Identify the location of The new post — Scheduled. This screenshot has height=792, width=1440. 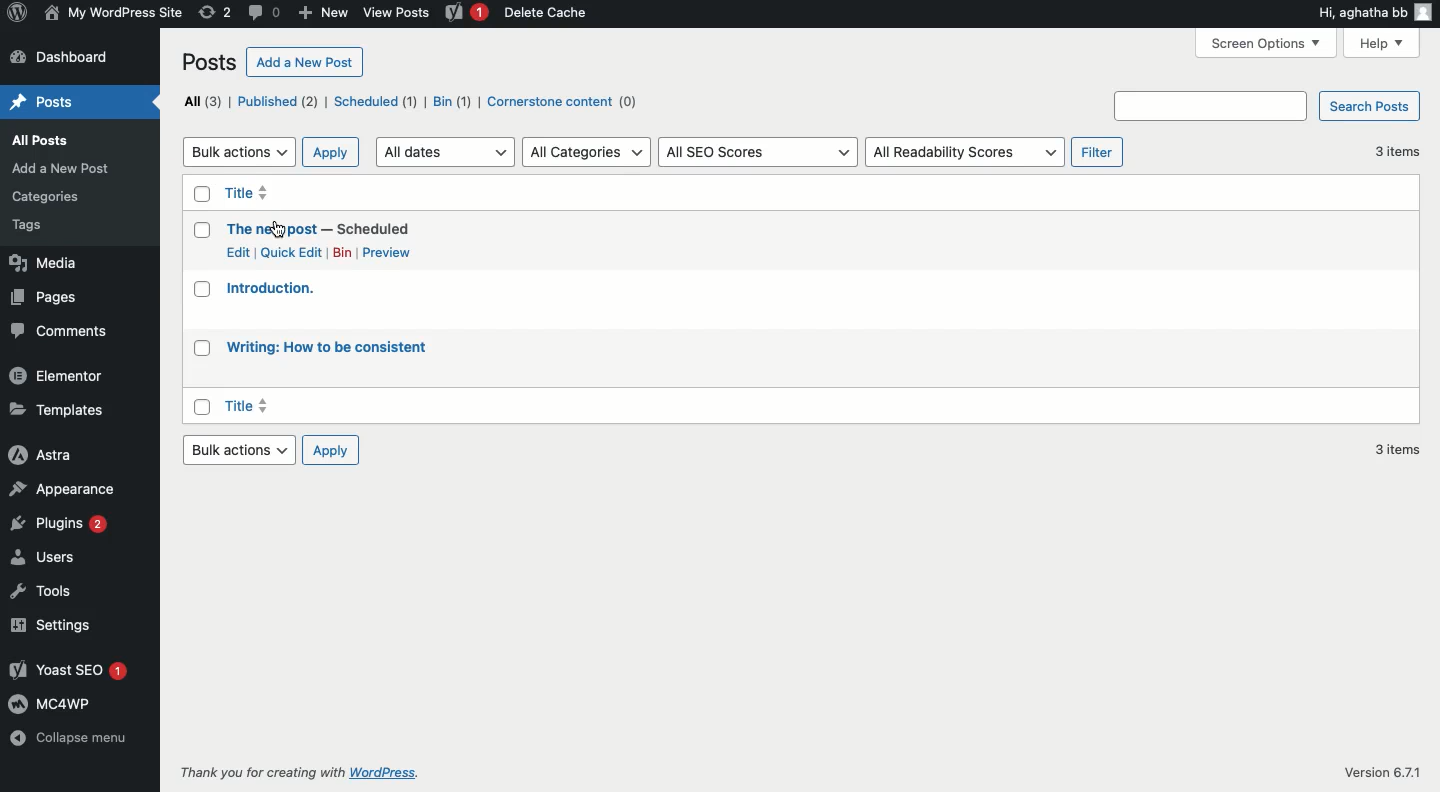
(319, 229).